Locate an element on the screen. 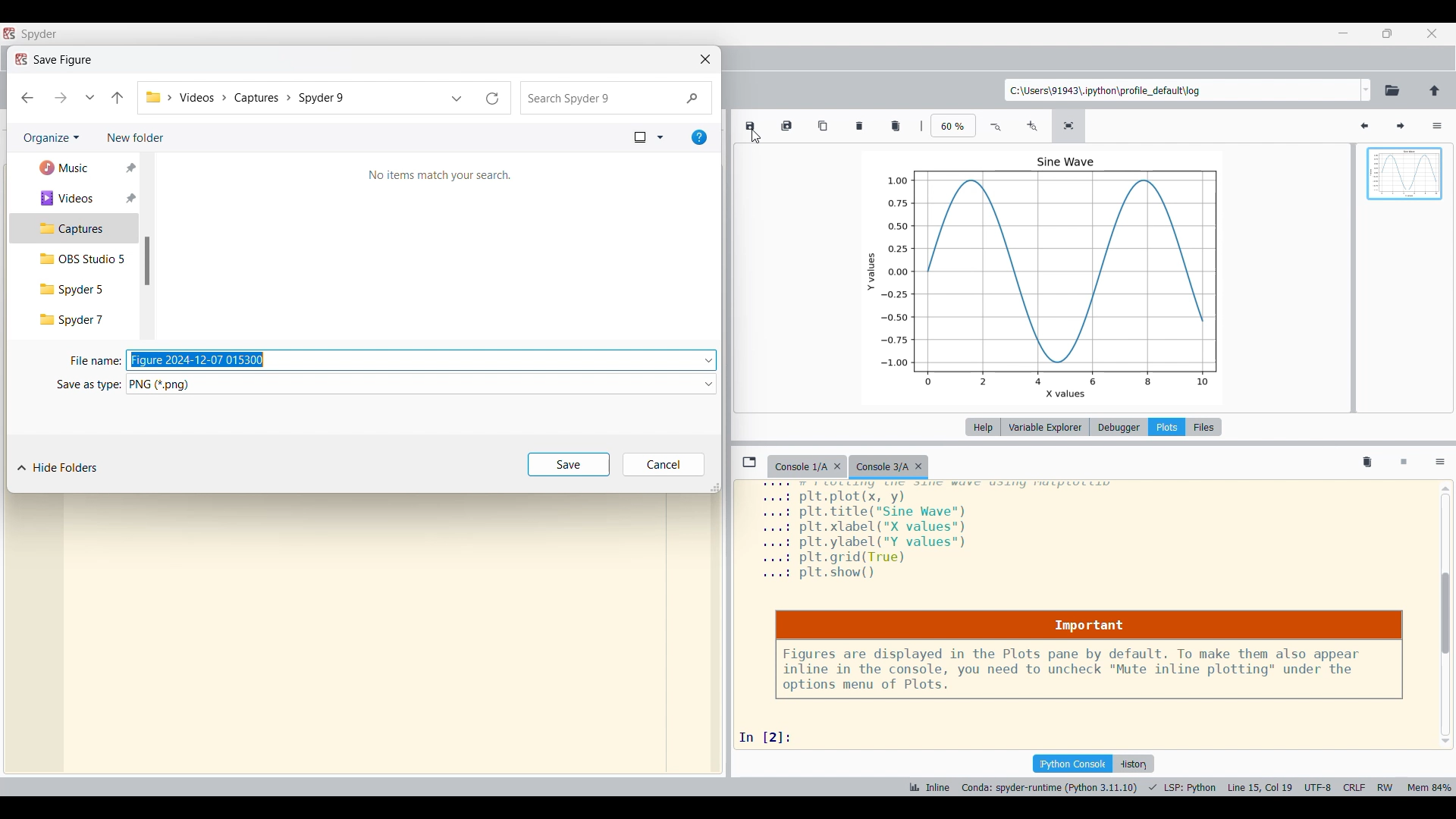  Previous locations is located at coordinates (457, 98).